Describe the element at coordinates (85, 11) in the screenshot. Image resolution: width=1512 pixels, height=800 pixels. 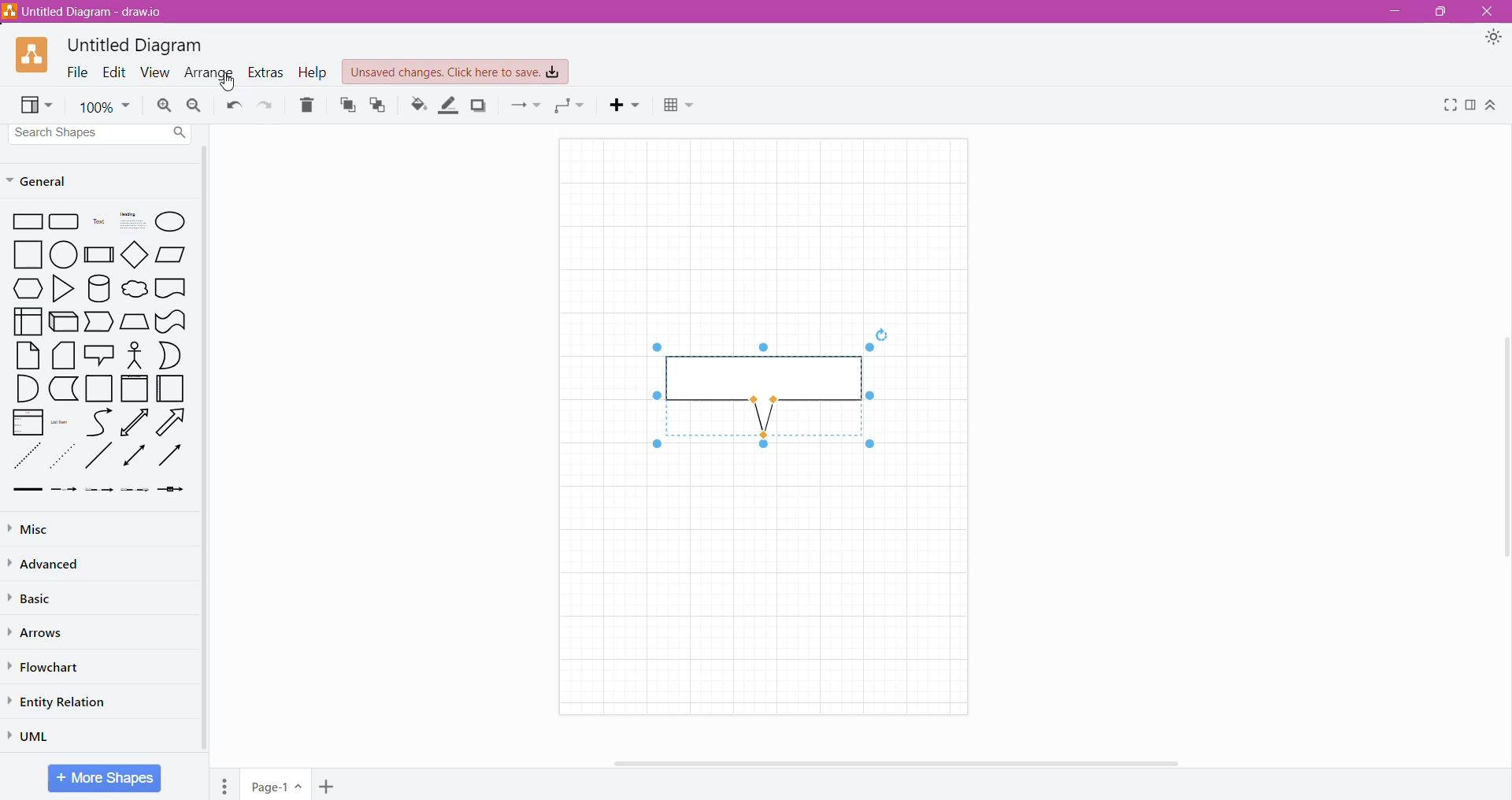
I see `Diagram Name - Application Name` at that location.